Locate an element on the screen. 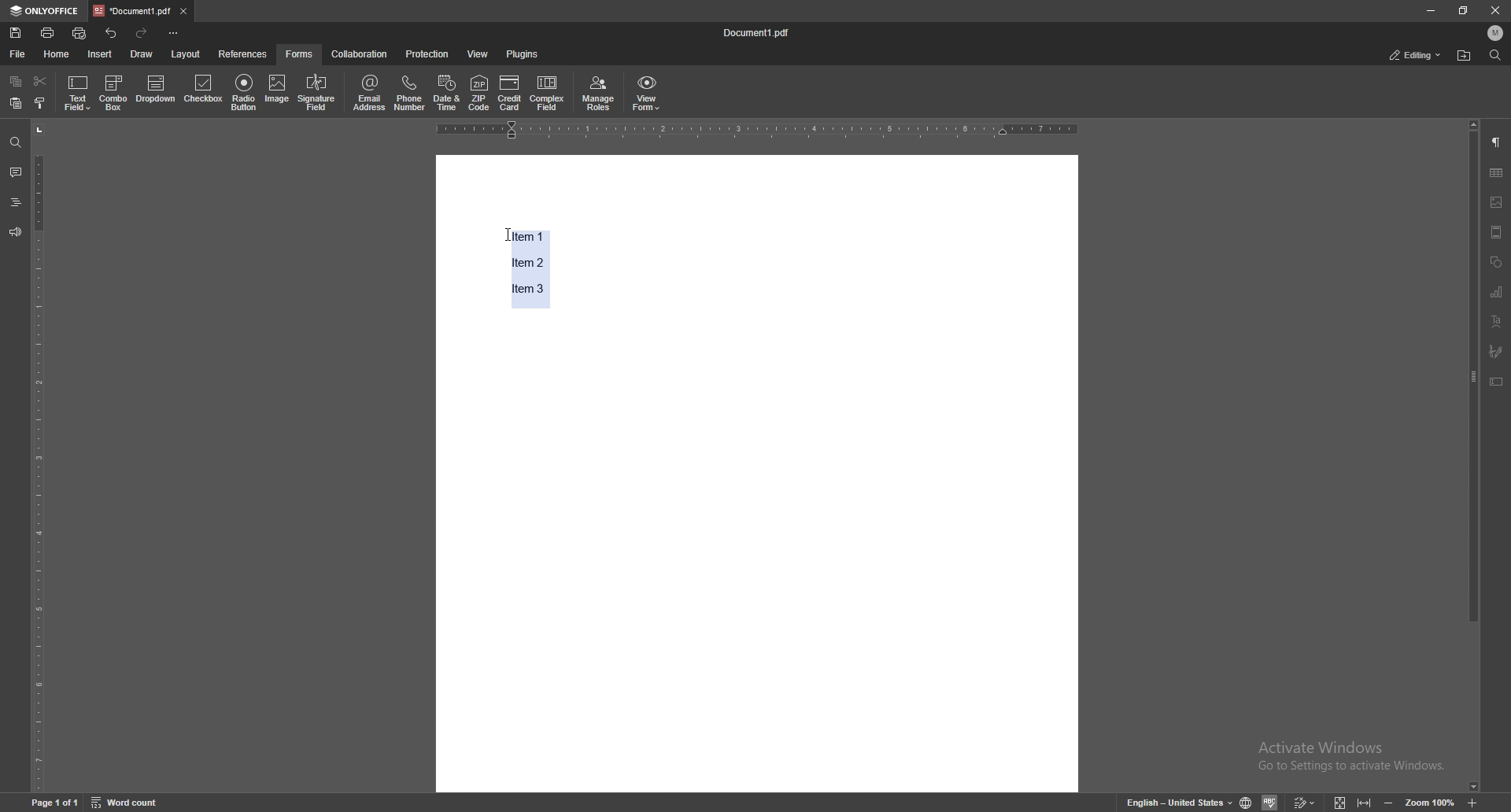  profile is located at coordinates (1494, 33).